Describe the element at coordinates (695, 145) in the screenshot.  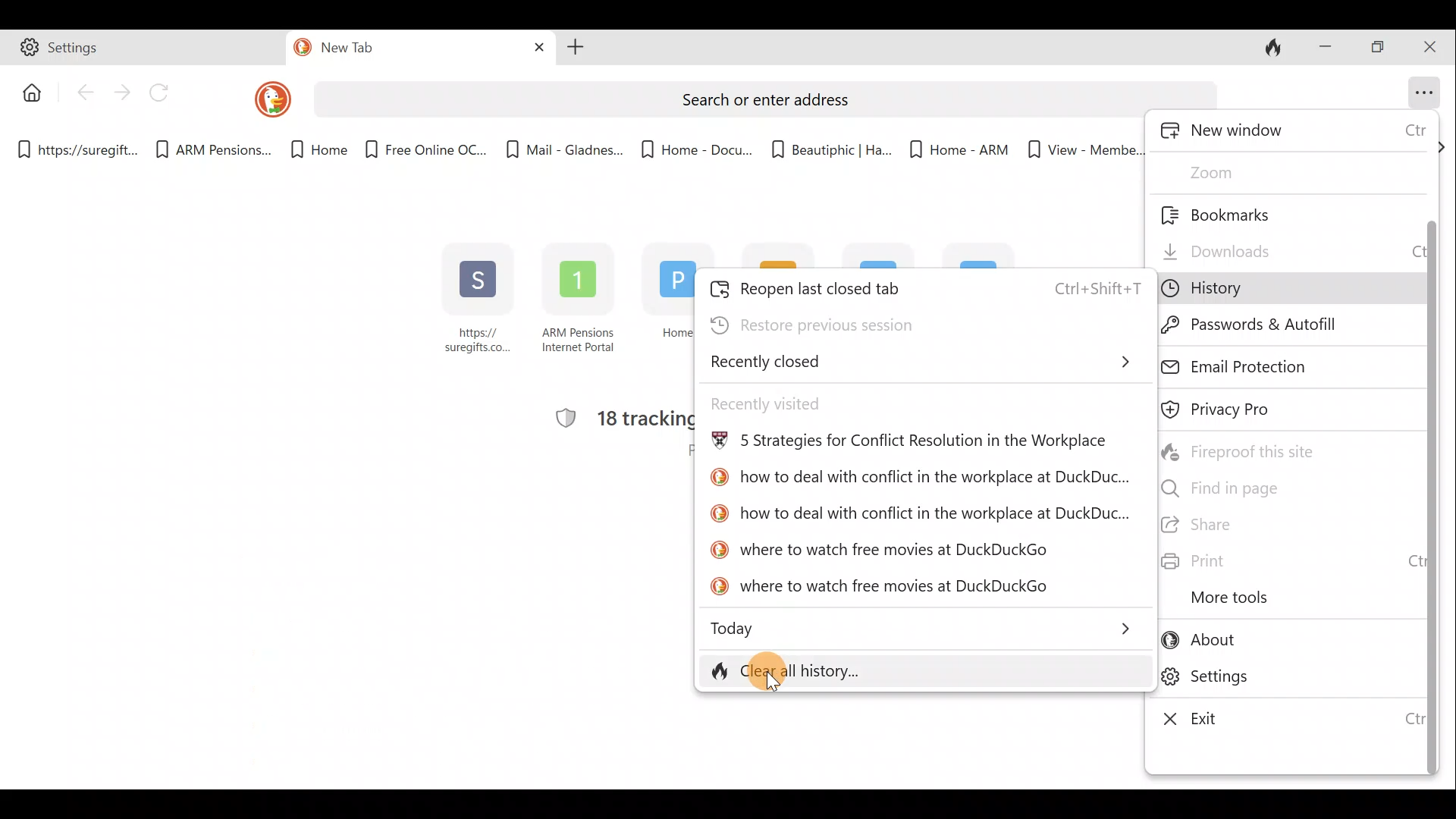
I see `Home - Docu...` at that location.